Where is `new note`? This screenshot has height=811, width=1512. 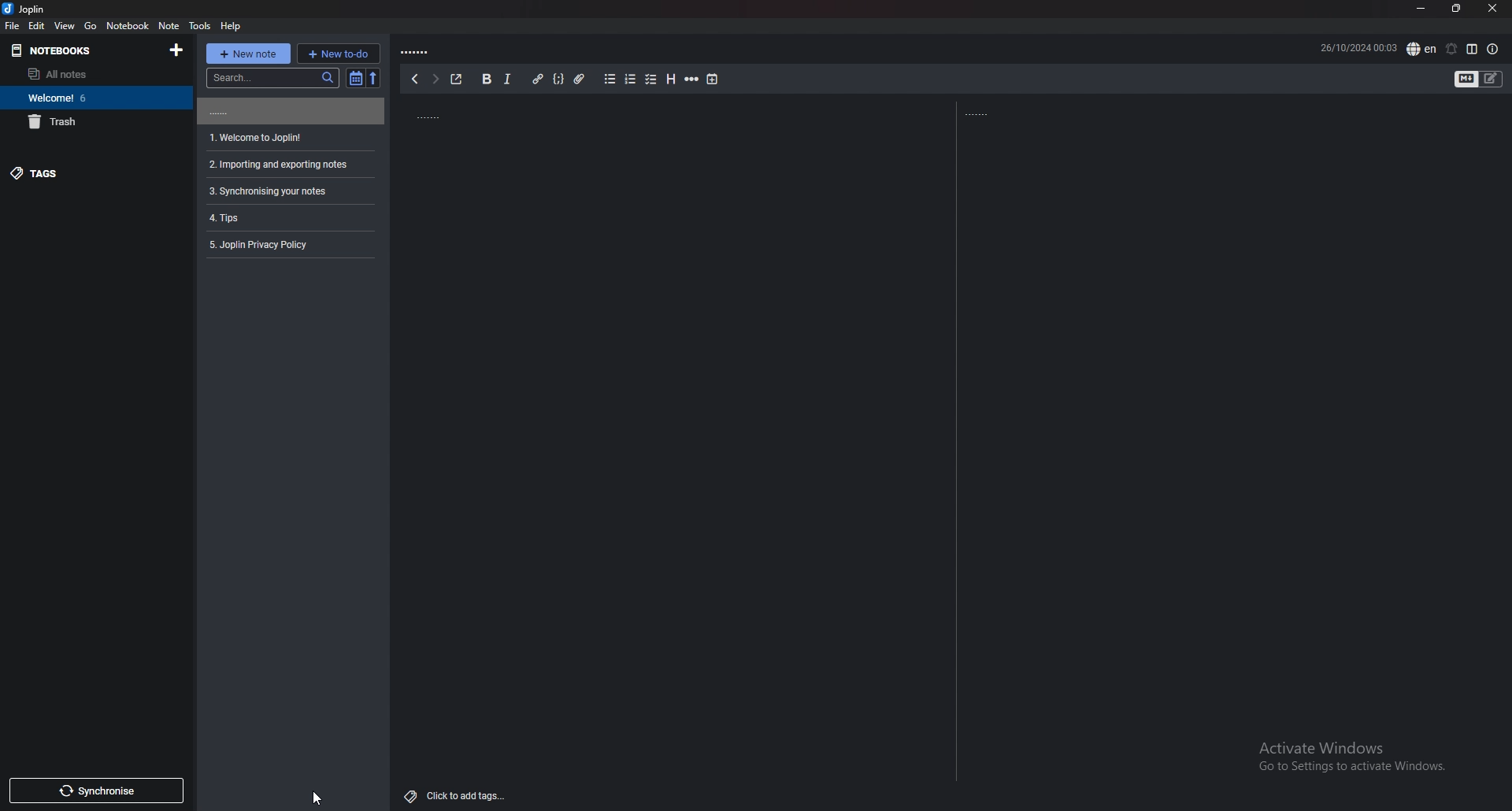
new note is located at coordinates (248, 53).